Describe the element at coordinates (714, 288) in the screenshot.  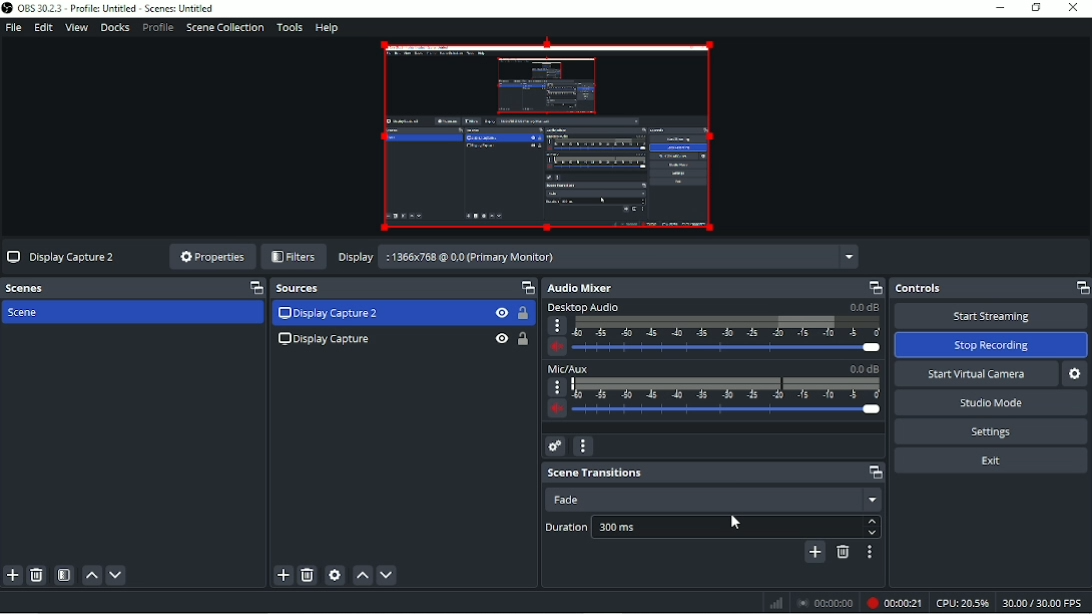
I see `Audio mixer` at that location.